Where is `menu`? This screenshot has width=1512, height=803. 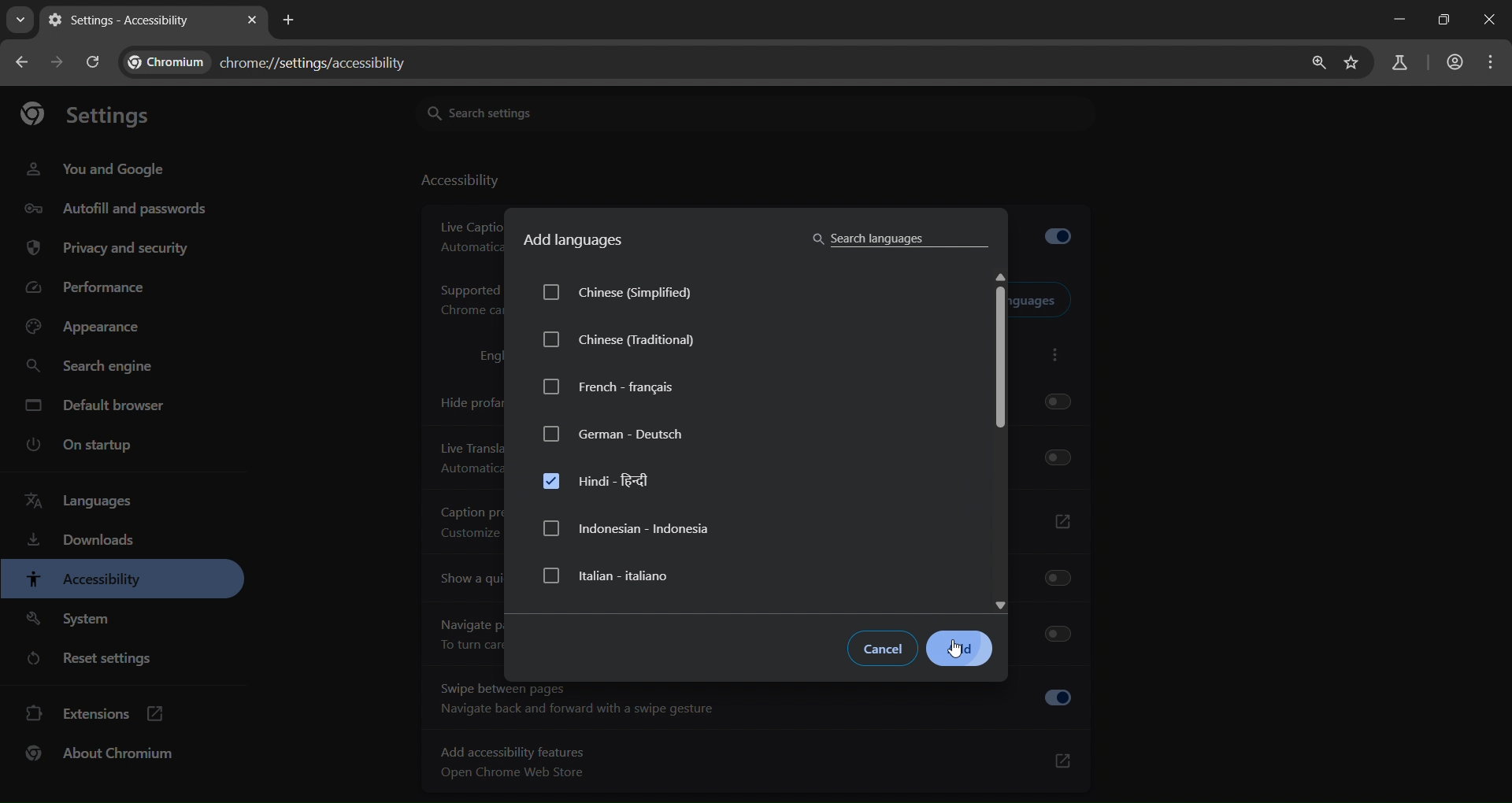 menu is located at coordinates (1493, 64).